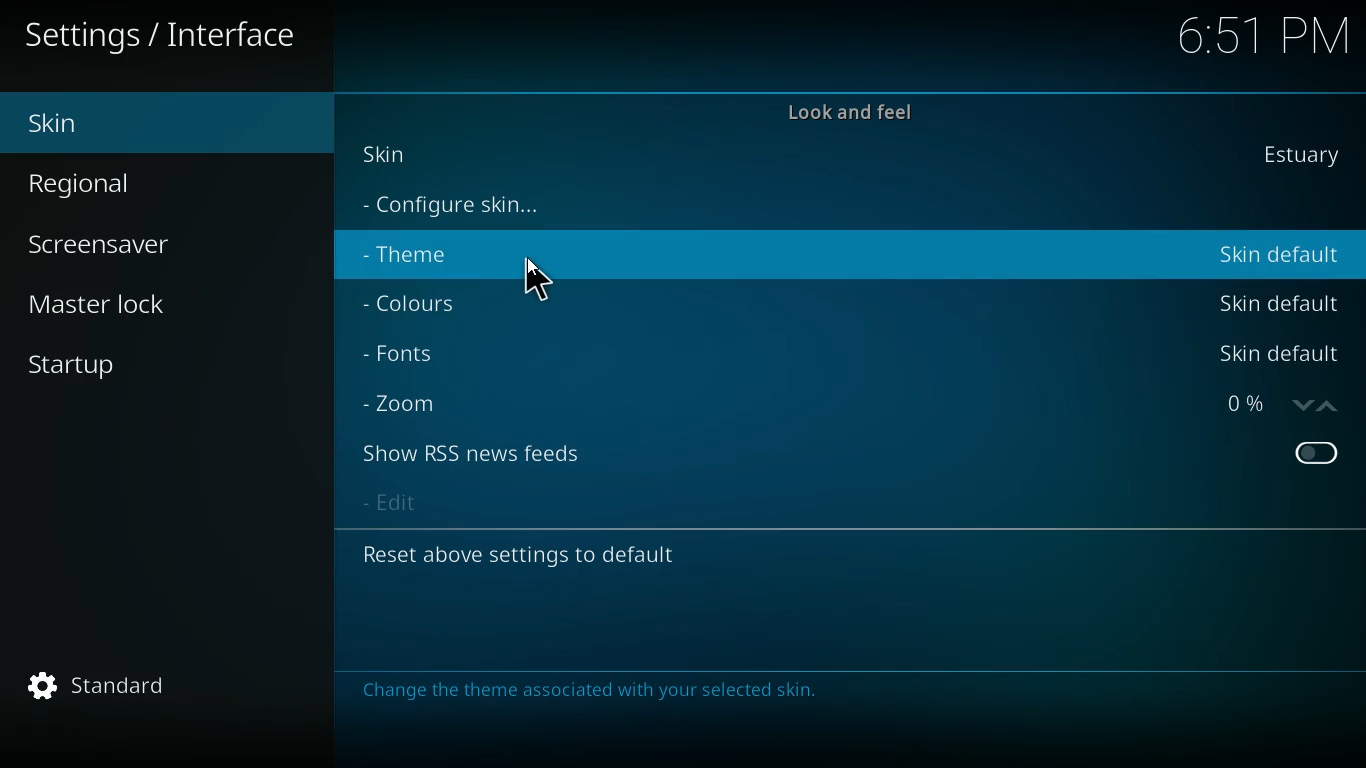 The image size is (1366, 768). Describe the element at coordinates (1284, 256) in the screenshot. I see `skin default` at that location.